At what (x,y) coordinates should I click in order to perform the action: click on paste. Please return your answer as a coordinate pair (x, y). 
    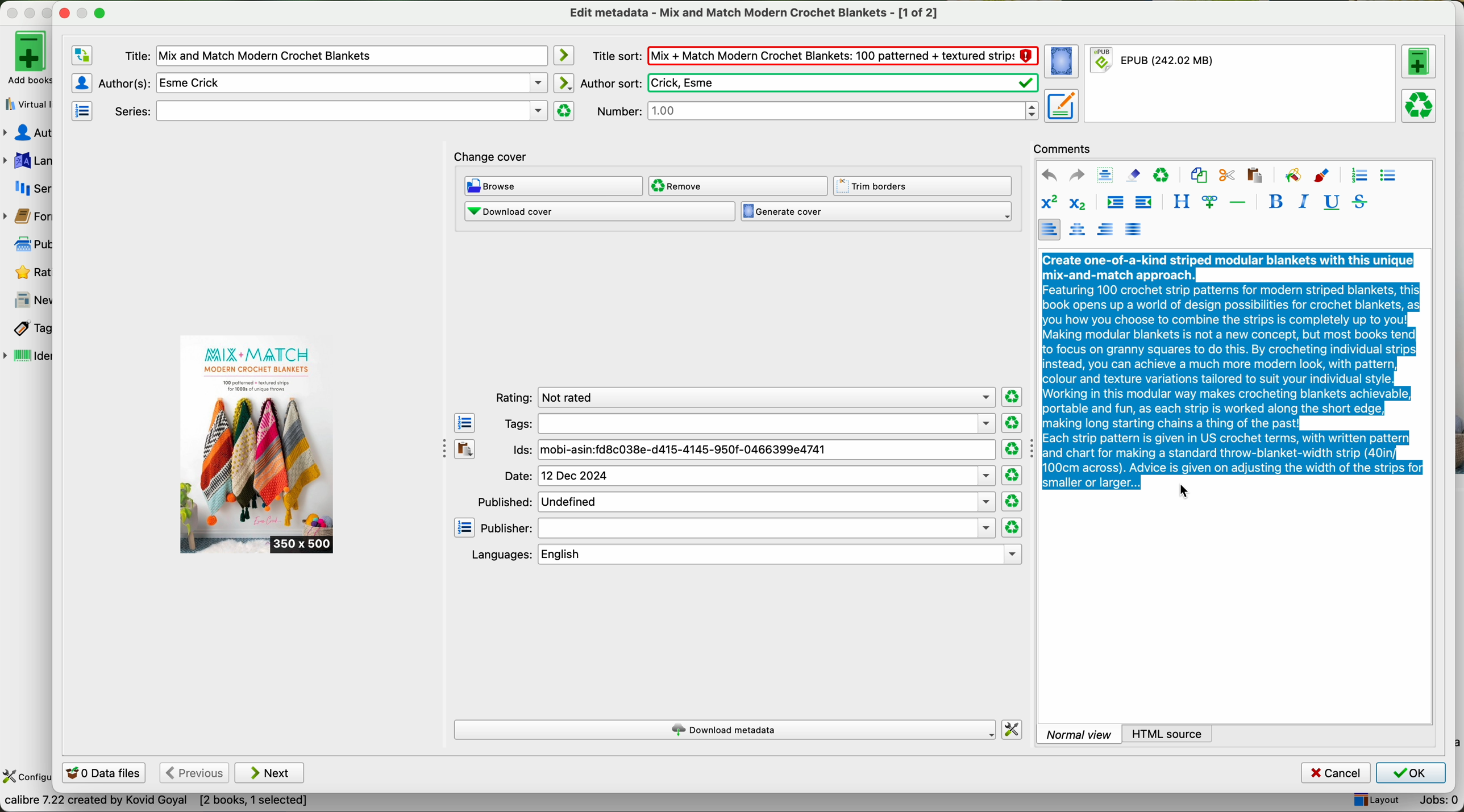
    Looking at the image, I should click on (1253, 174).